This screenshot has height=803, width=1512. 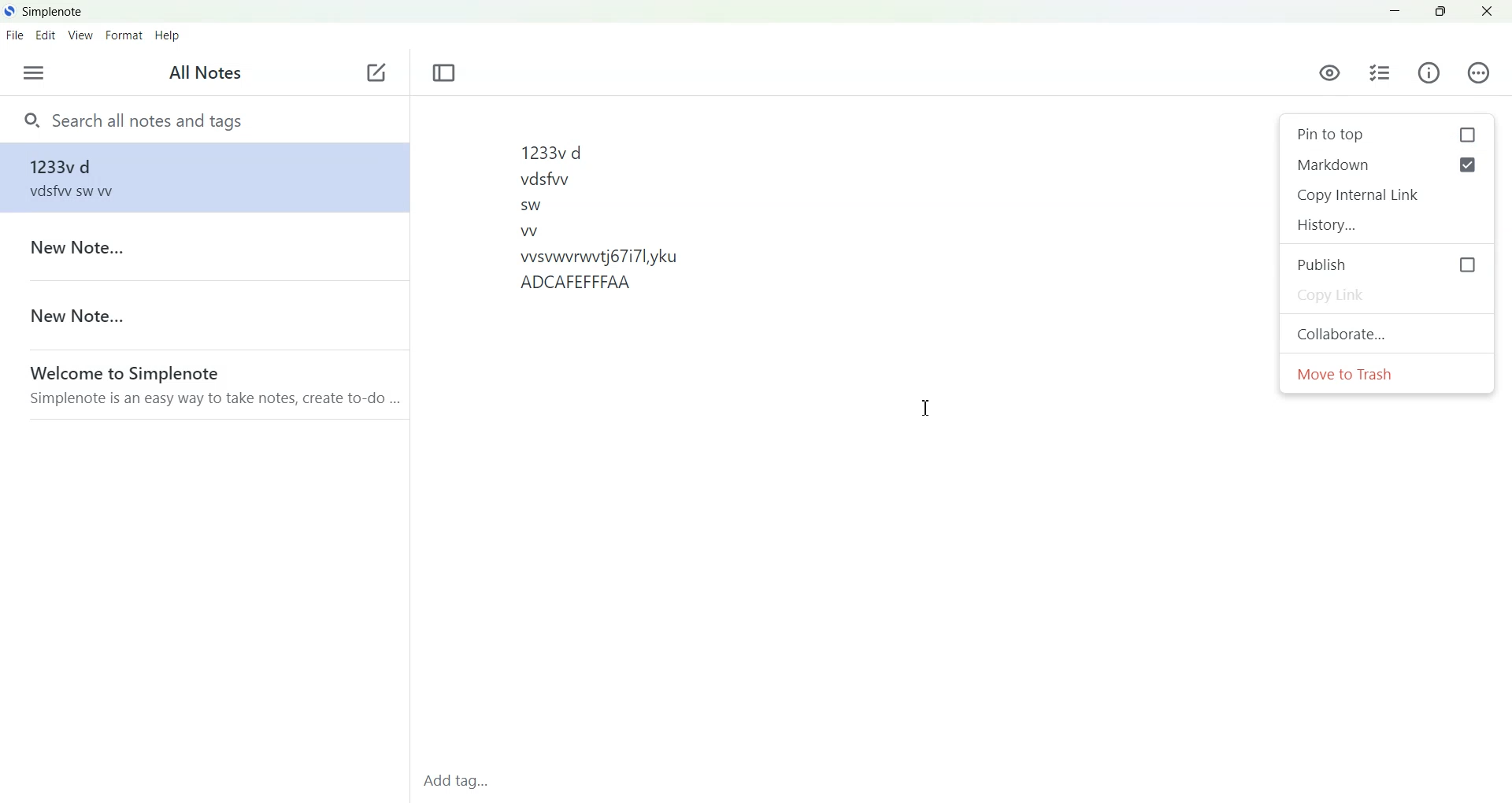 I want to click on Insert Checklist, so click(x=1380, y=73).